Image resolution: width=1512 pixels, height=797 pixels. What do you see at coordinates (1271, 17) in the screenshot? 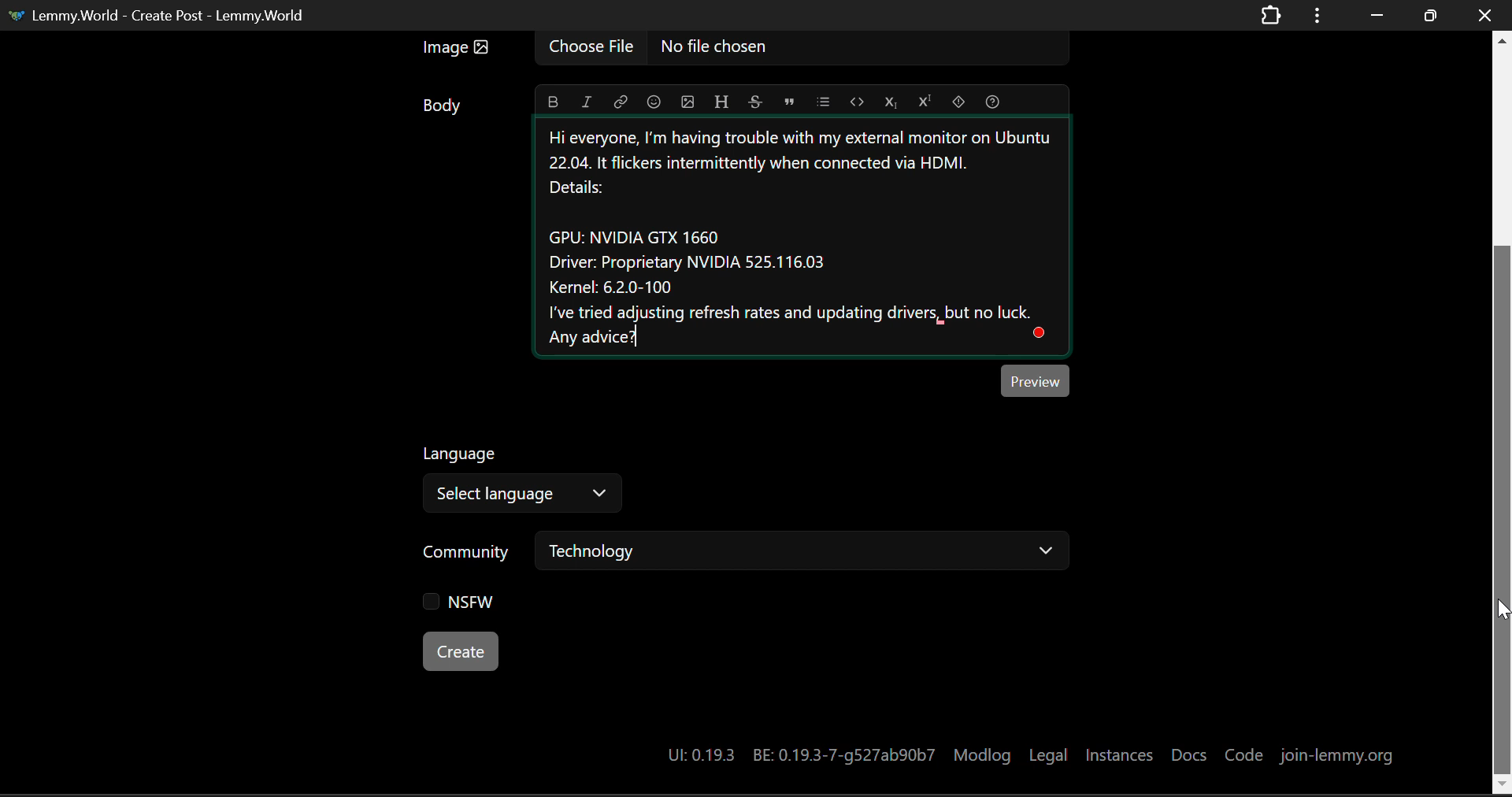
I see `Extensions` at bounding box center [1271, 17].